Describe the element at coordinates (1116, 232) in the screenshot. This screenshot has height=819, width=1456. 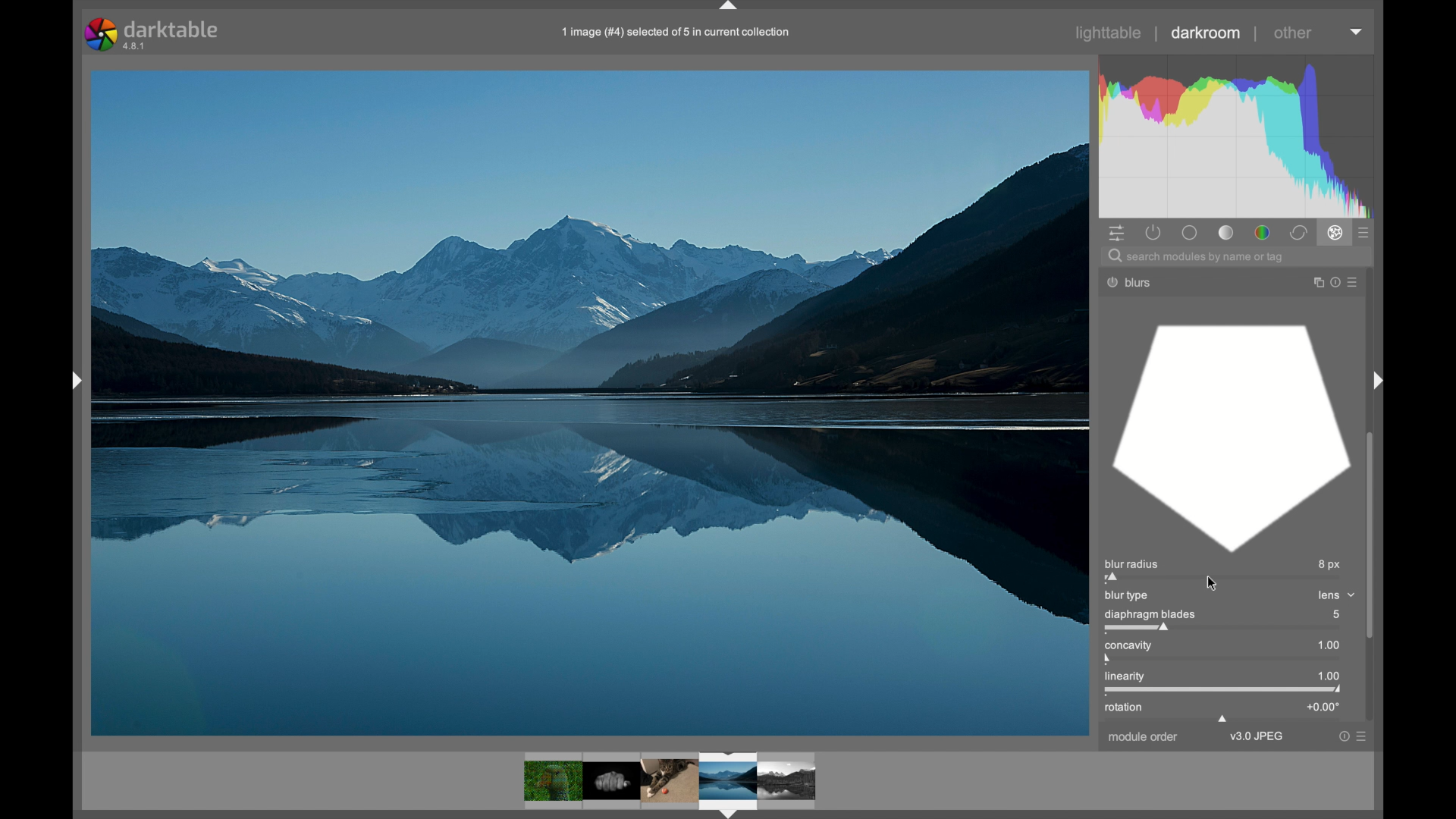
I see `show quick access  panel` at that location.